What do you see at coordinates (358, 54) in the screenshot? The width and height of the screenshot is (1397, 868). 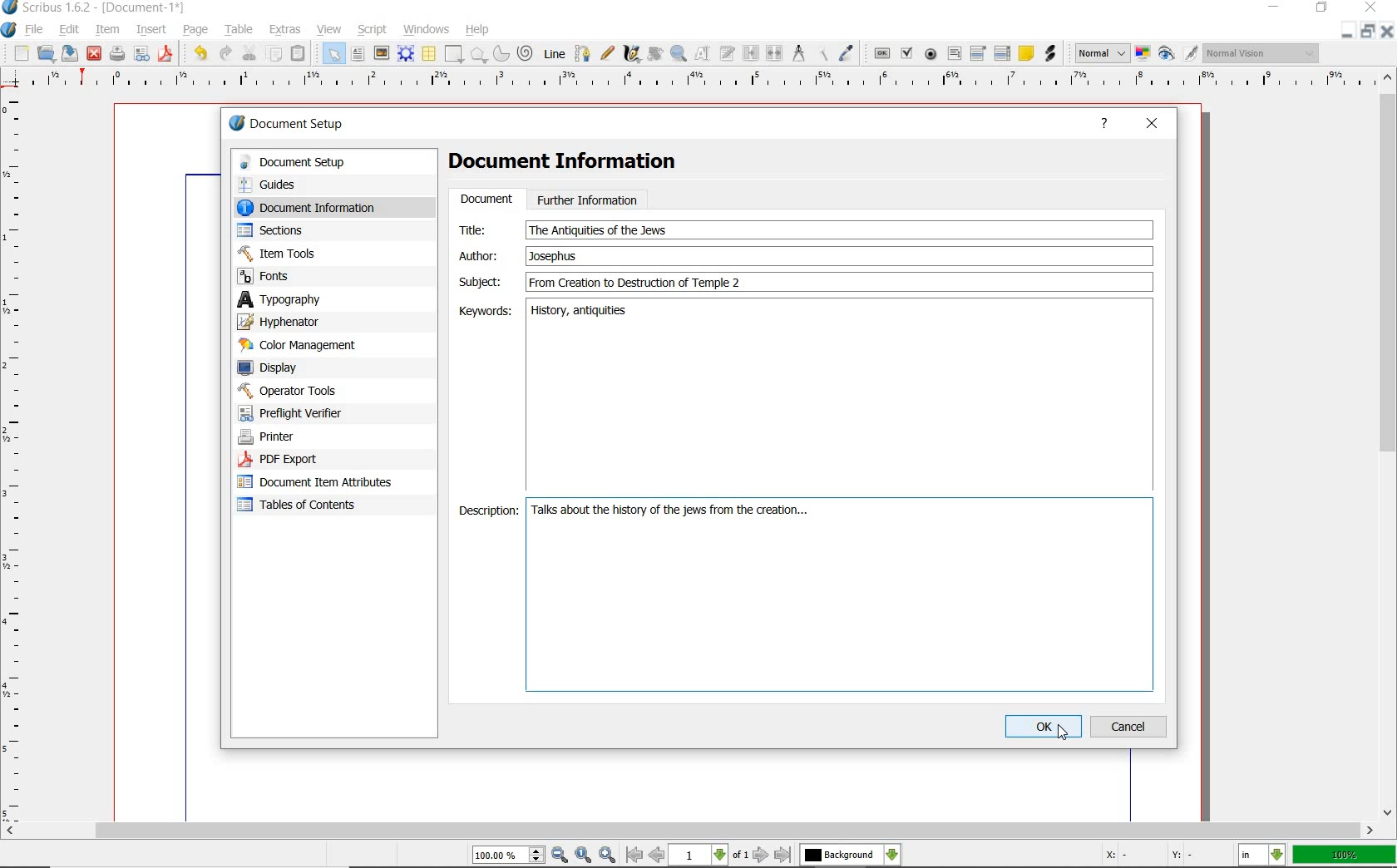 I see `text frame` at bounding box center [358, 54].